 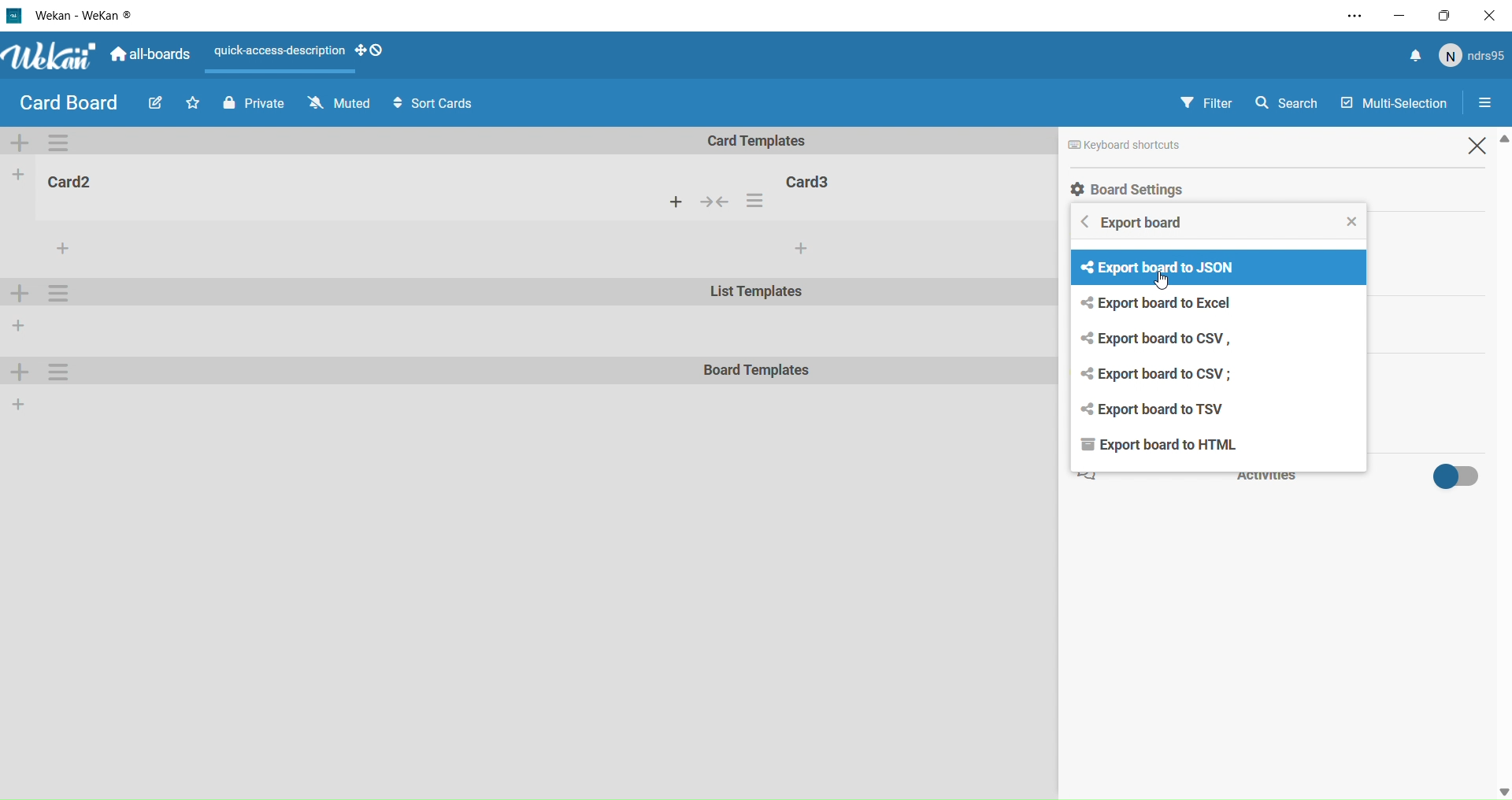 What do you see at coordinates (1162, 339) in the screenshot?
I see `Export to CSV` at bounding box center [1162, 339].